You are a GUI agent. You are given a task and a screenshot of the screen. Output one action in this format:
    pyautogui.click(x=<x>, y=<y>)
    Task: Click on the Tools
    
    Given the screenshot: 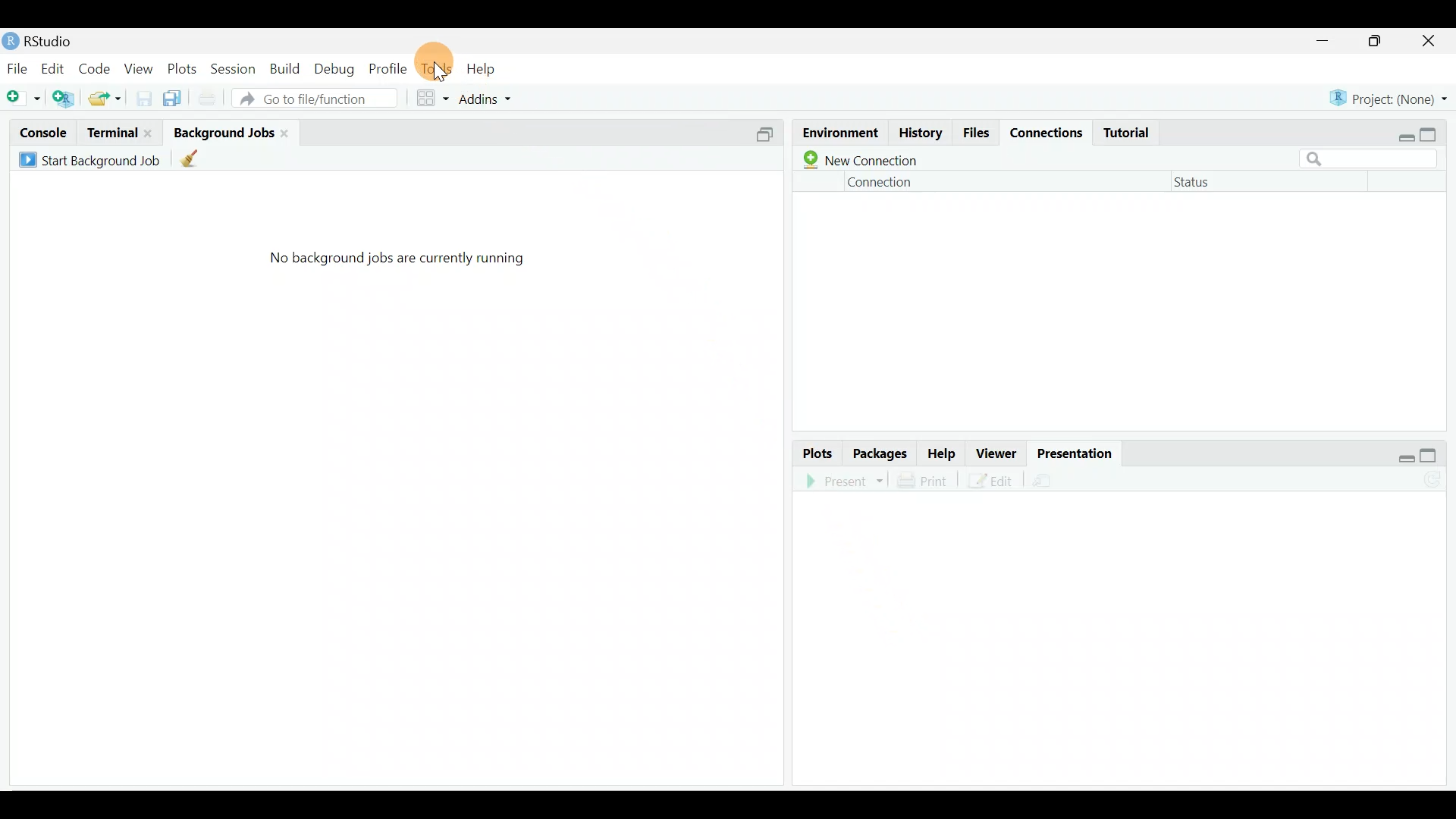 What is the action you would take?
    pyautogui.click(x=437, y=67)
    